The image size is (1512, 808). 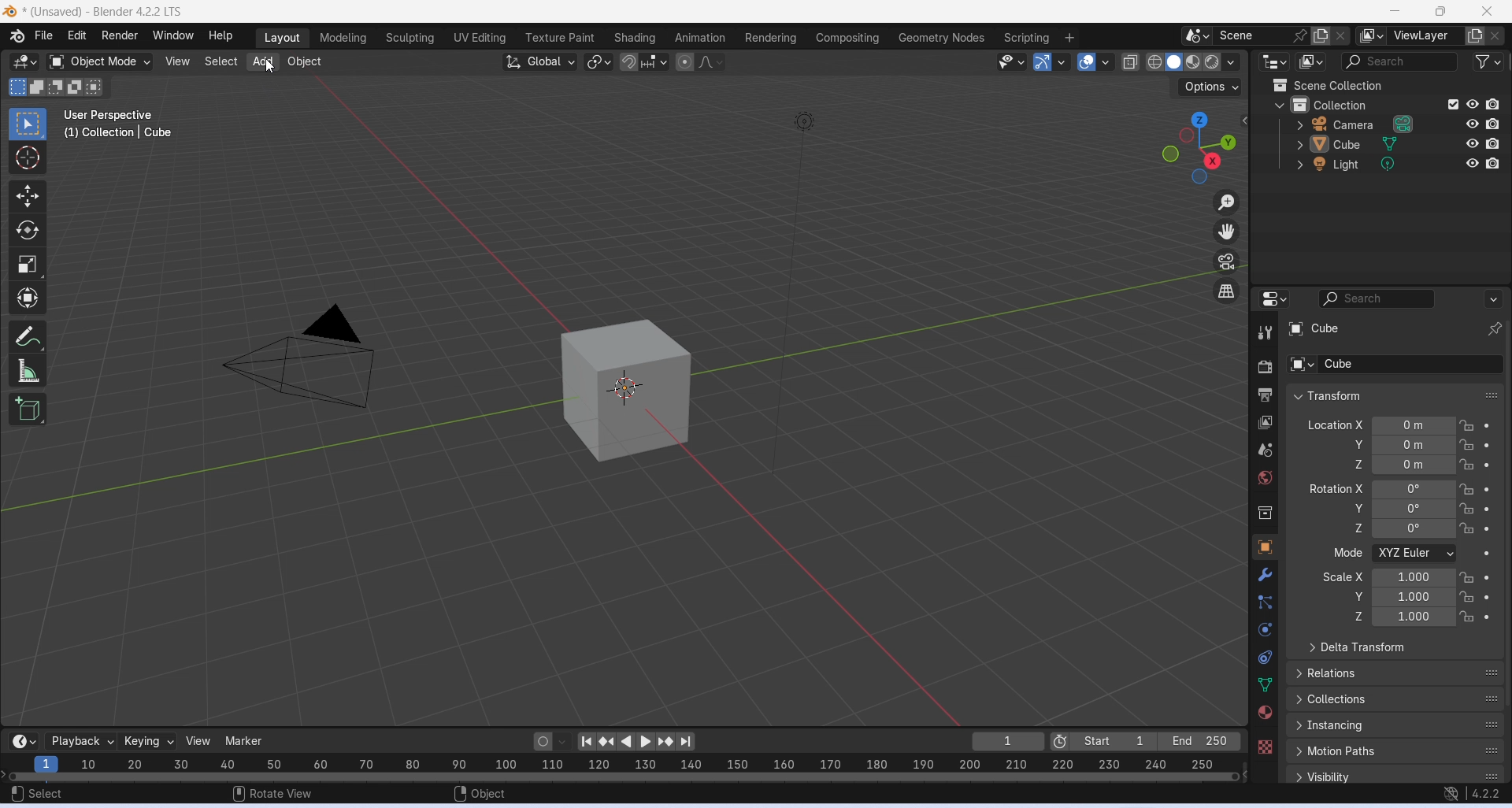 I want to click on z, so click(x=1347, y=528).